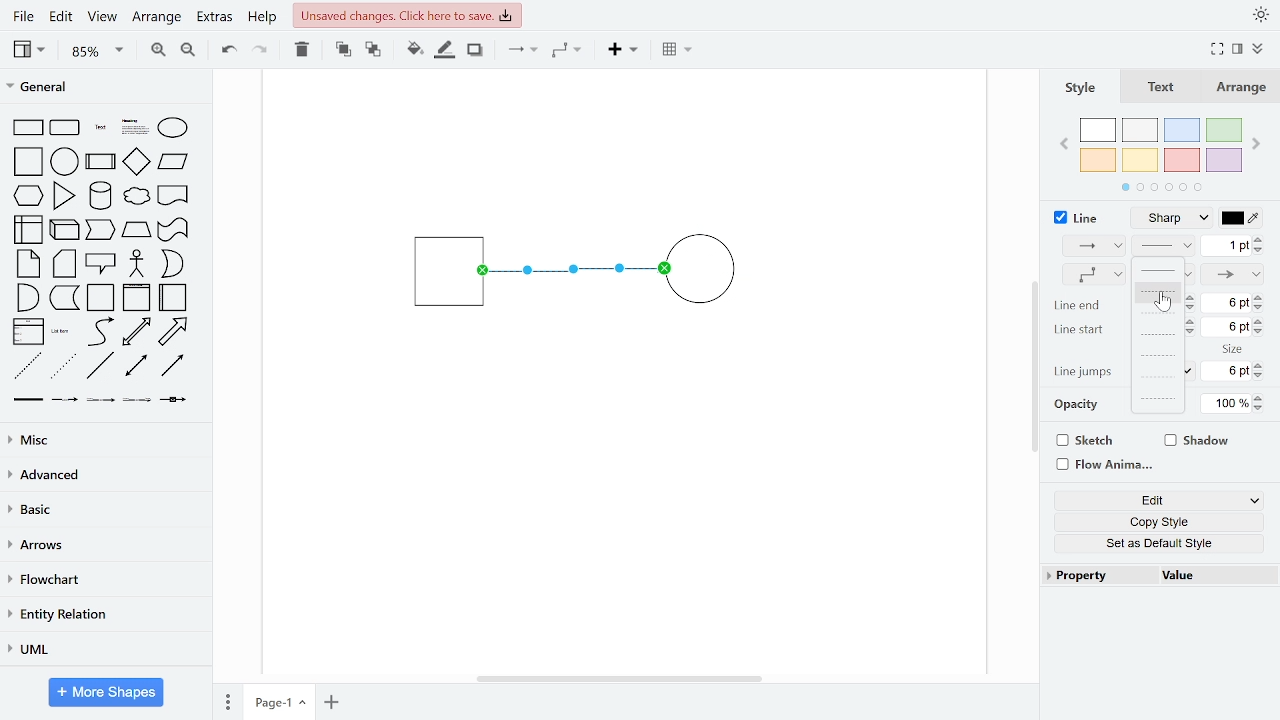  What do you see at coordinates (628, 50) in the screenshot?
I see `insert` at bounding box center [628, 50].